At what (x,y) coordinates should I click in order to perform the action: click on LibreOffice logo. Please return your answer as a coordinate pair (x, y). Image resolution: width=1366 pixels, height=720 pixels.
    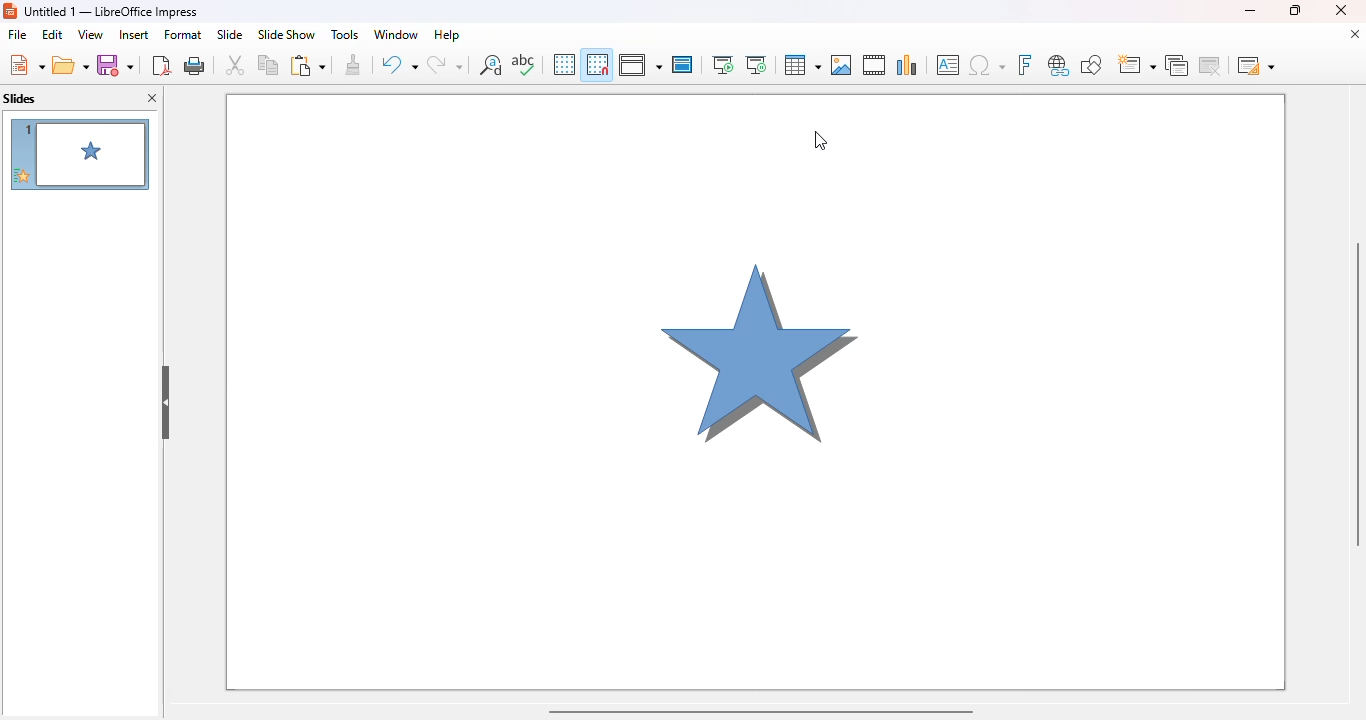
    Looking at the image, I should click on (9, 11).